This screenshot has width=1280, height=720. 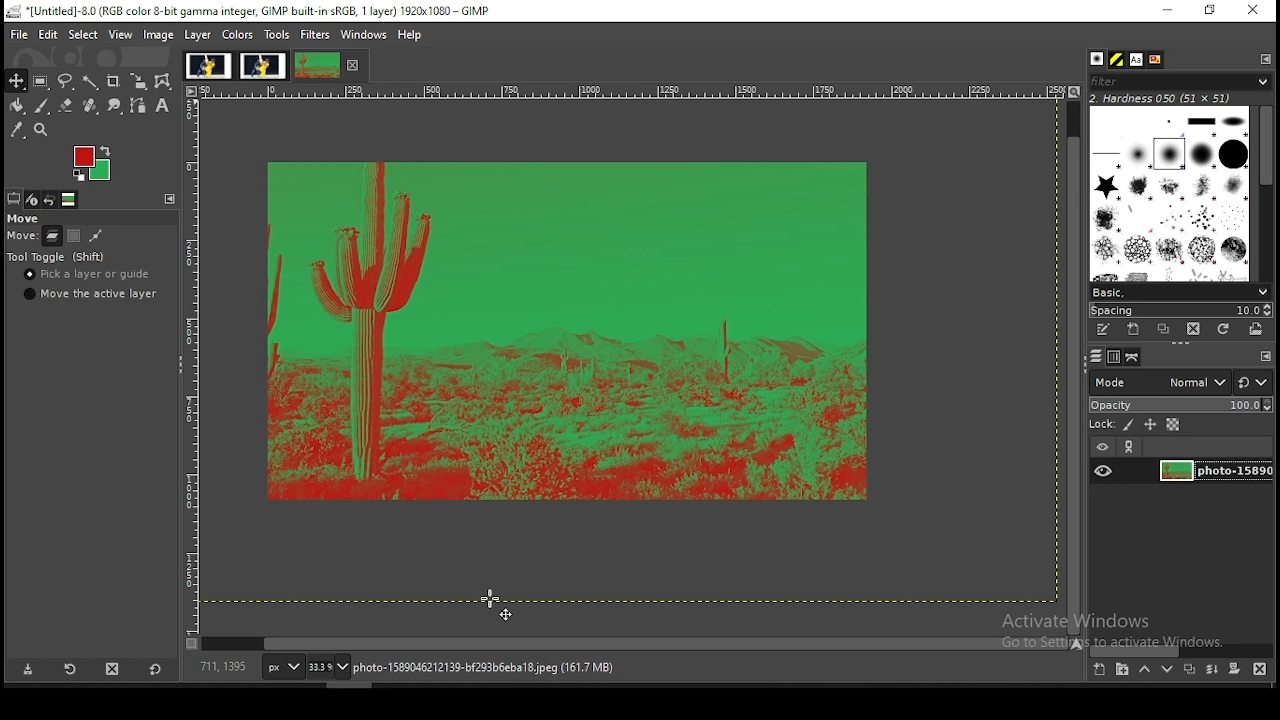 What do you see at coordinates (1180, 81) in the screenshot?
I see `filter brushes` at bounding box center [1180, 81].